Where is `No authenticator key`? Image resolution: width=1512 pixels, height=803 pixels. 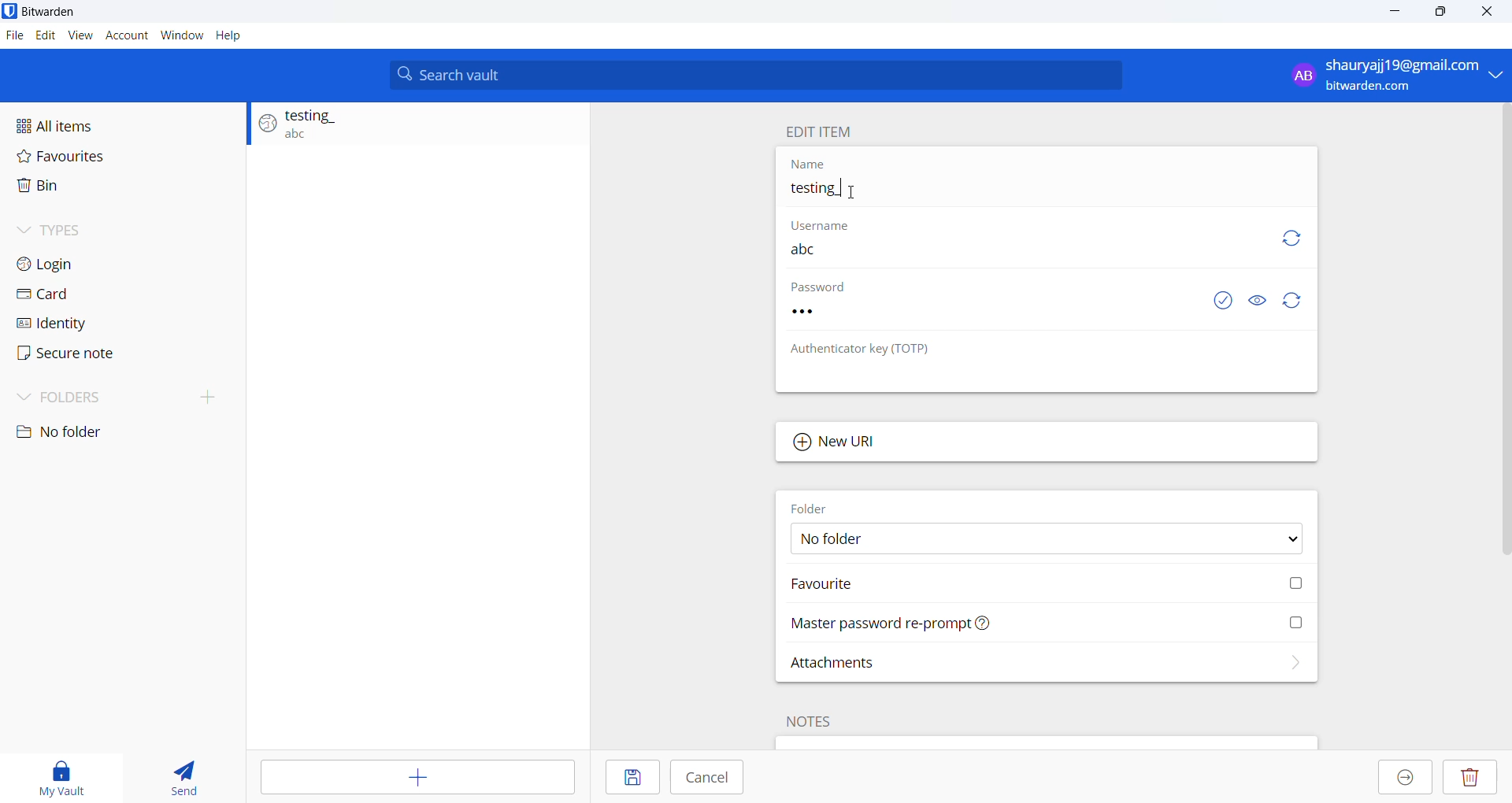
No authenticator key is located at coordinates (958, 379).